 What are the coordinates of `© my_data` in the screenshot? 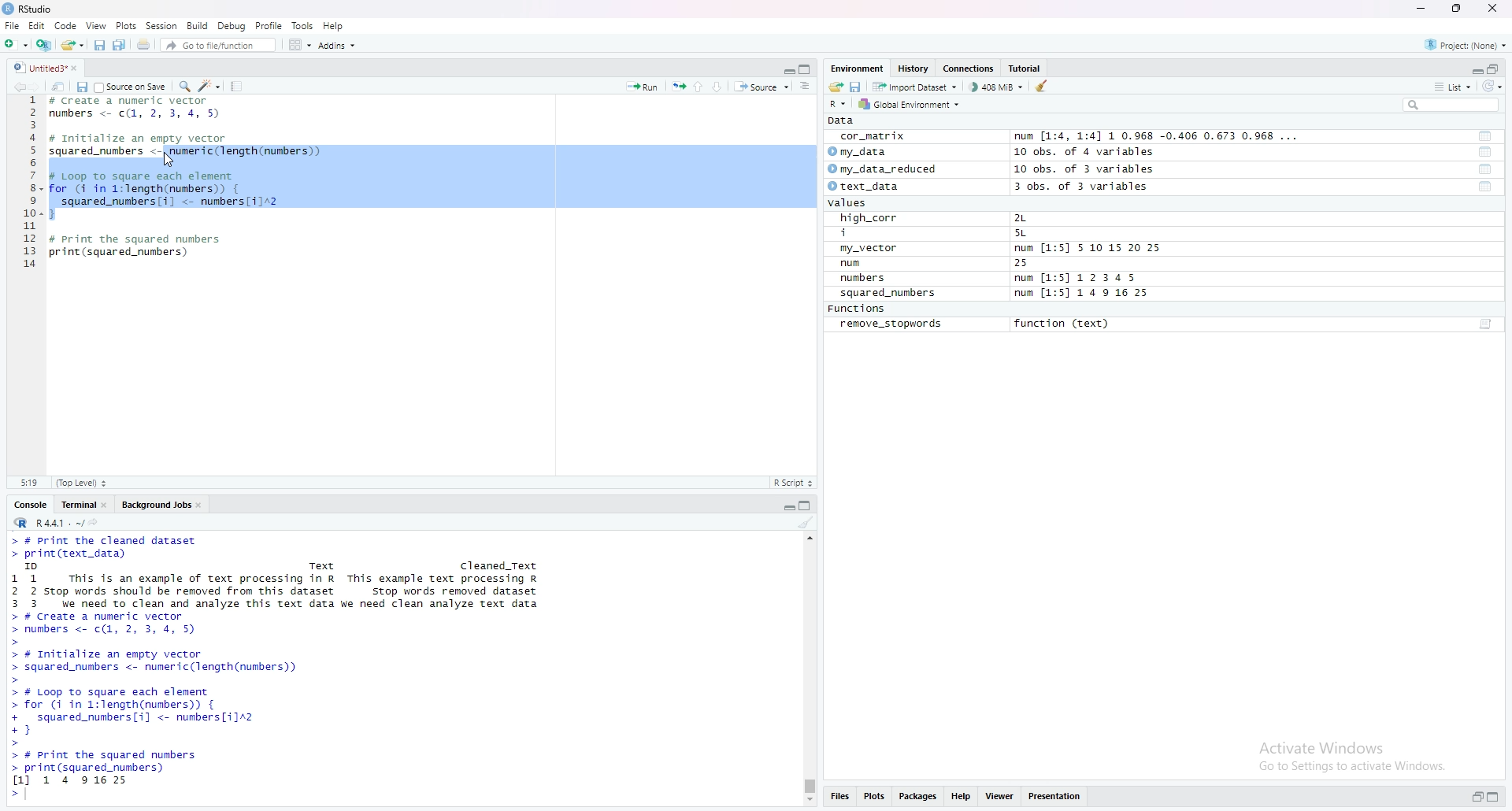 It's located at (859, 152).